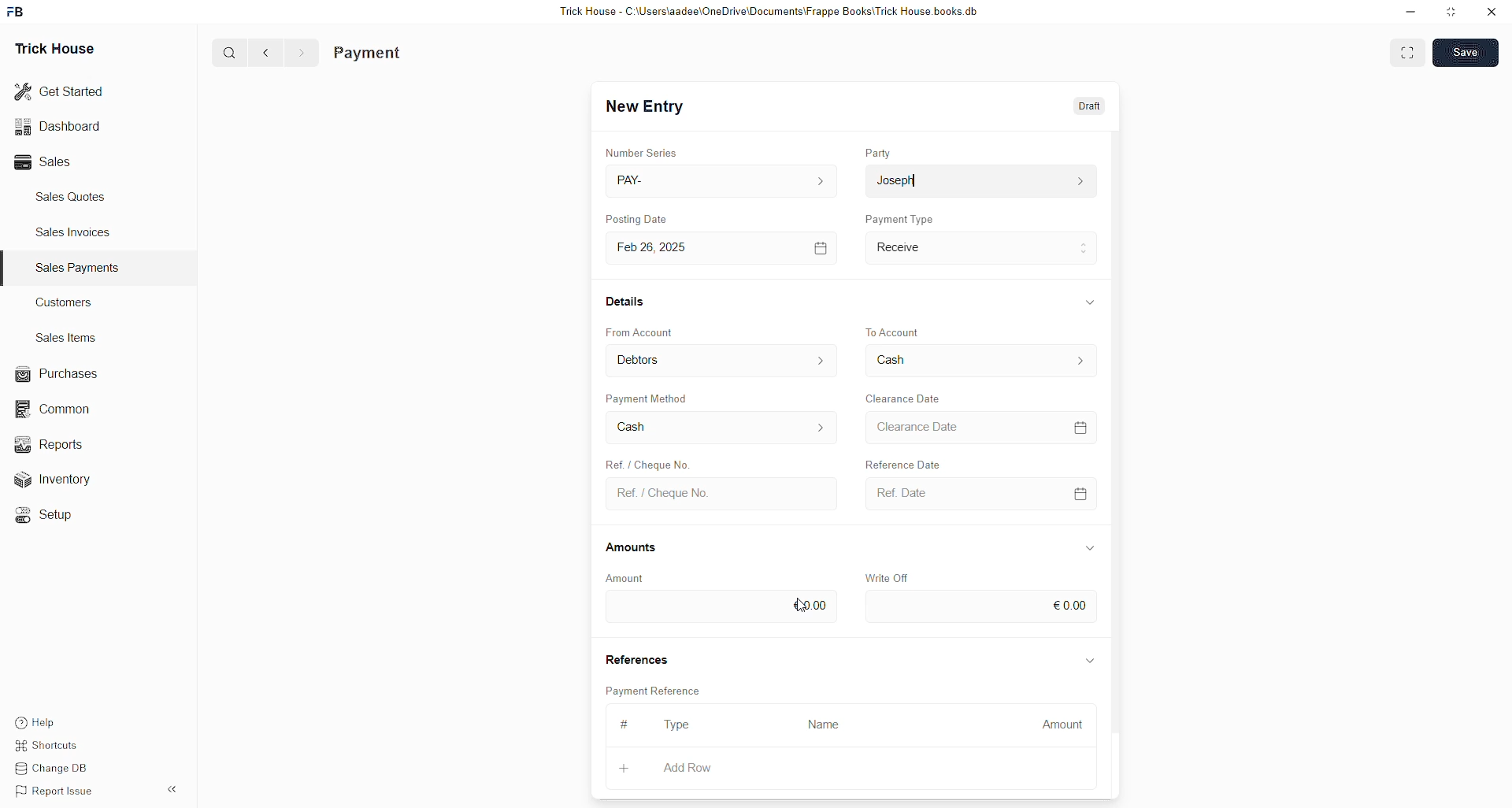  I want to click on Ref. Date, so click(983, 494).